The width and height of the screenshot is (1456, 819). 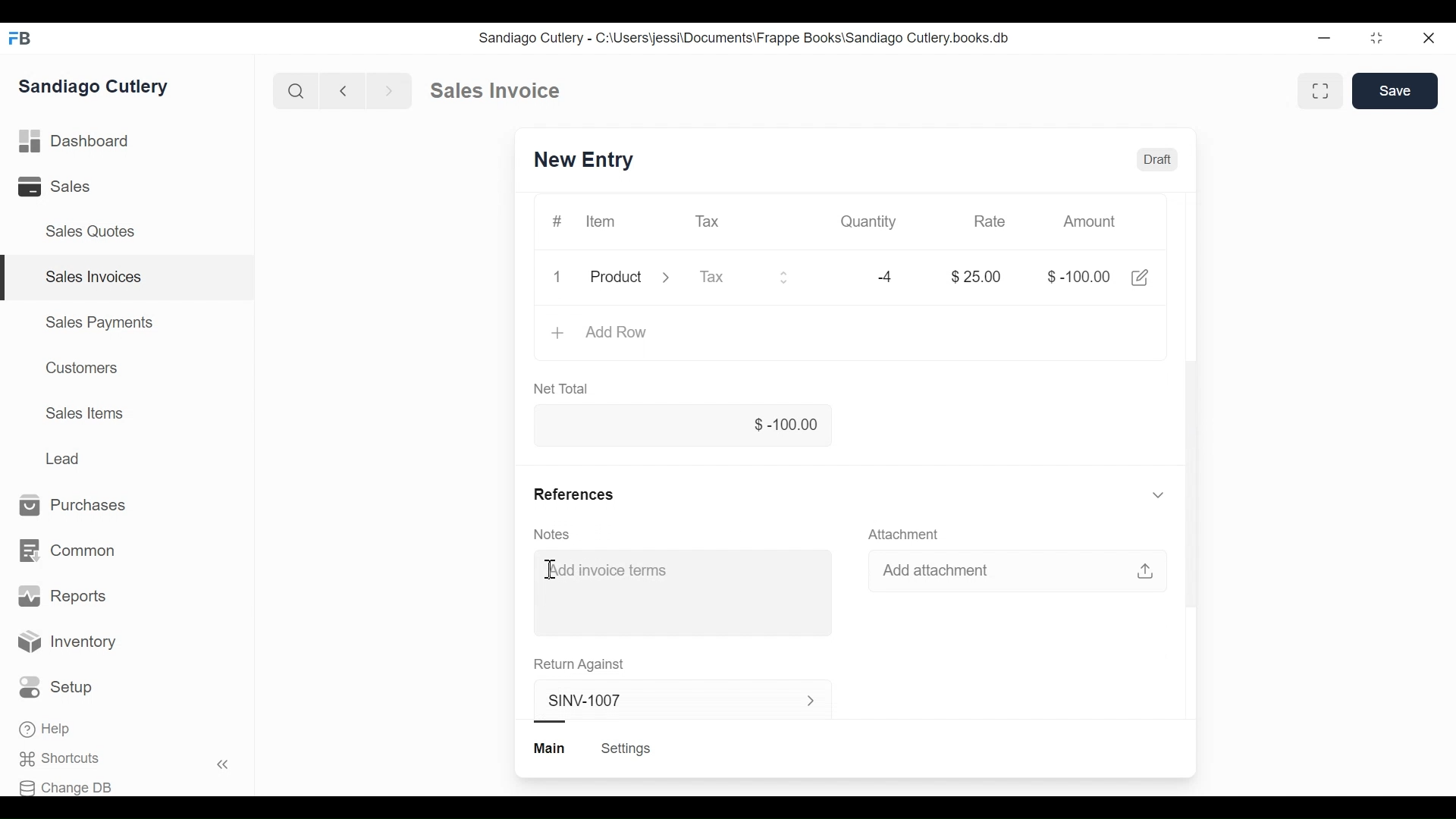 What do you see at coordinates (601, 221) in the screenshot?
I see `Item` at bounding box center [601, 221].